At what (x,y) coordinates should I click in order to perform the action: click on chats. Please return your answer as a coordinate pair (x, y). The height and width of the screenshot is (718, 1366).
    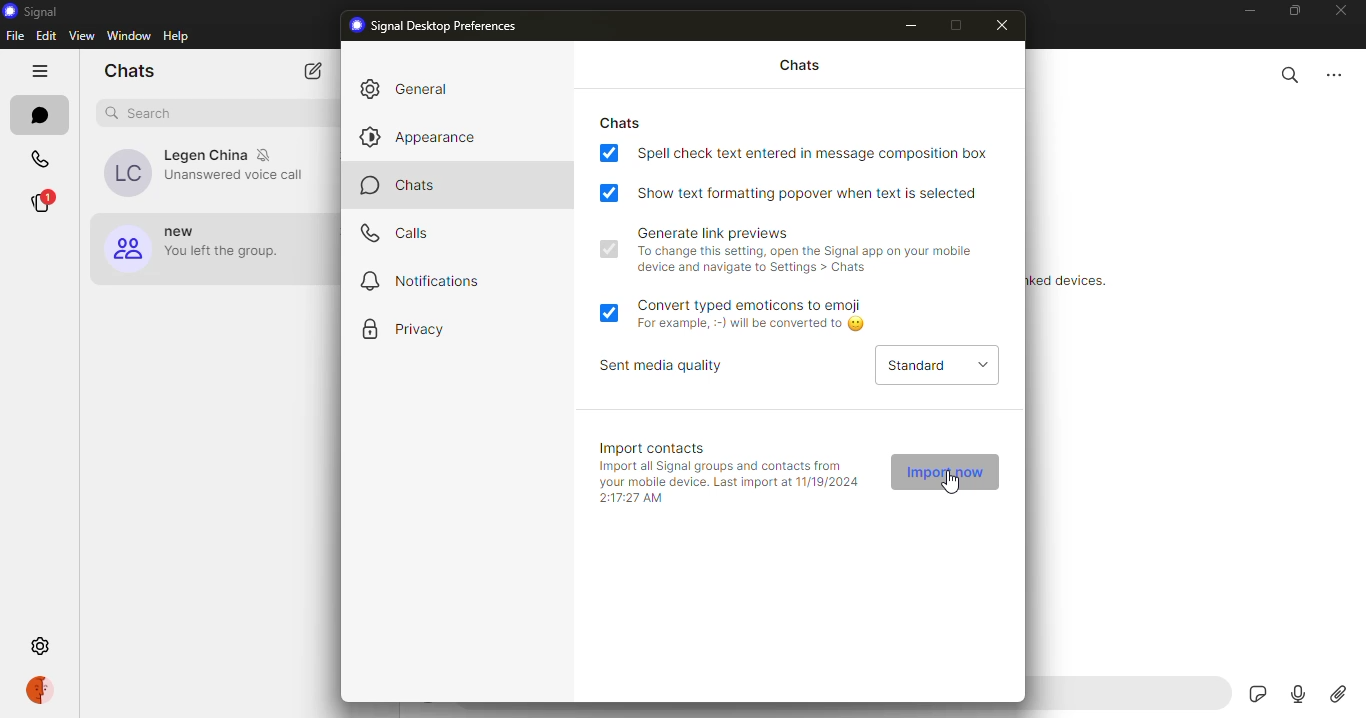
    Looking at the image, I should click on (40, 116).